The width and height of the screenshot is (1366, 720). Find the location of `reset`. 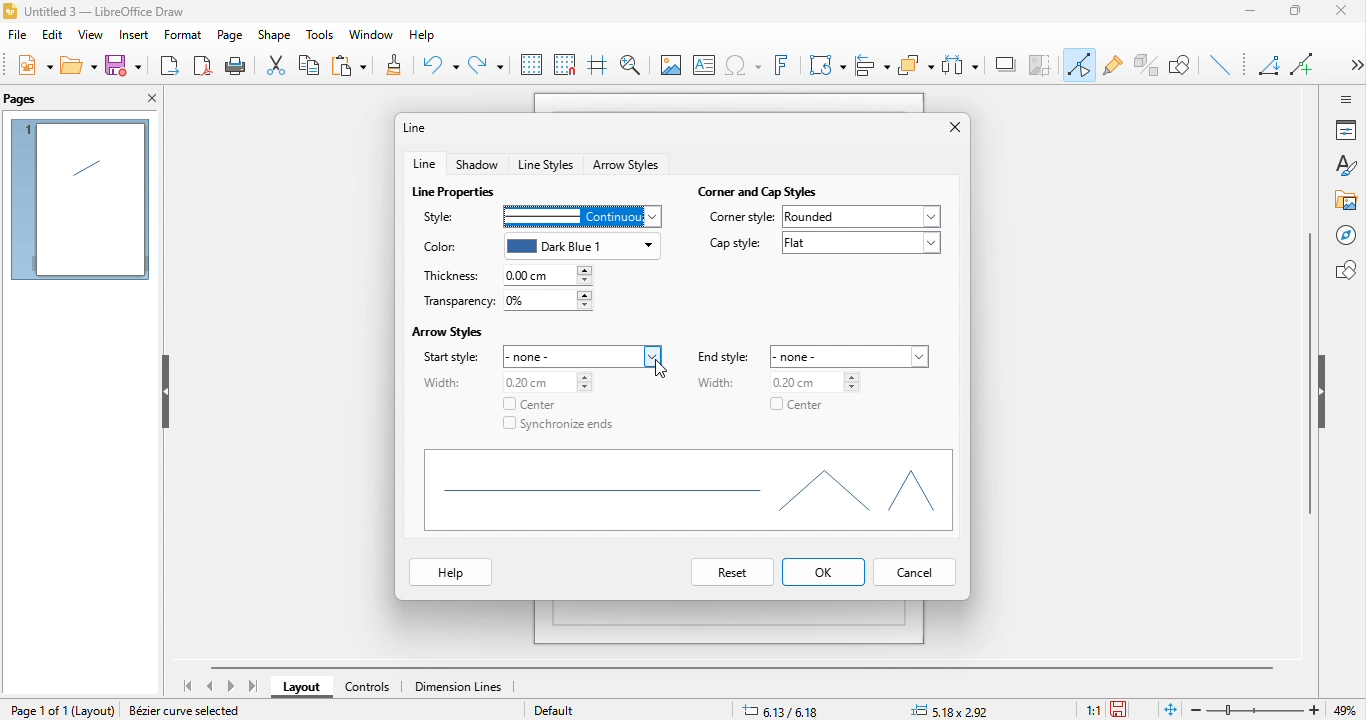

reset is located at coordinates (728, 573).